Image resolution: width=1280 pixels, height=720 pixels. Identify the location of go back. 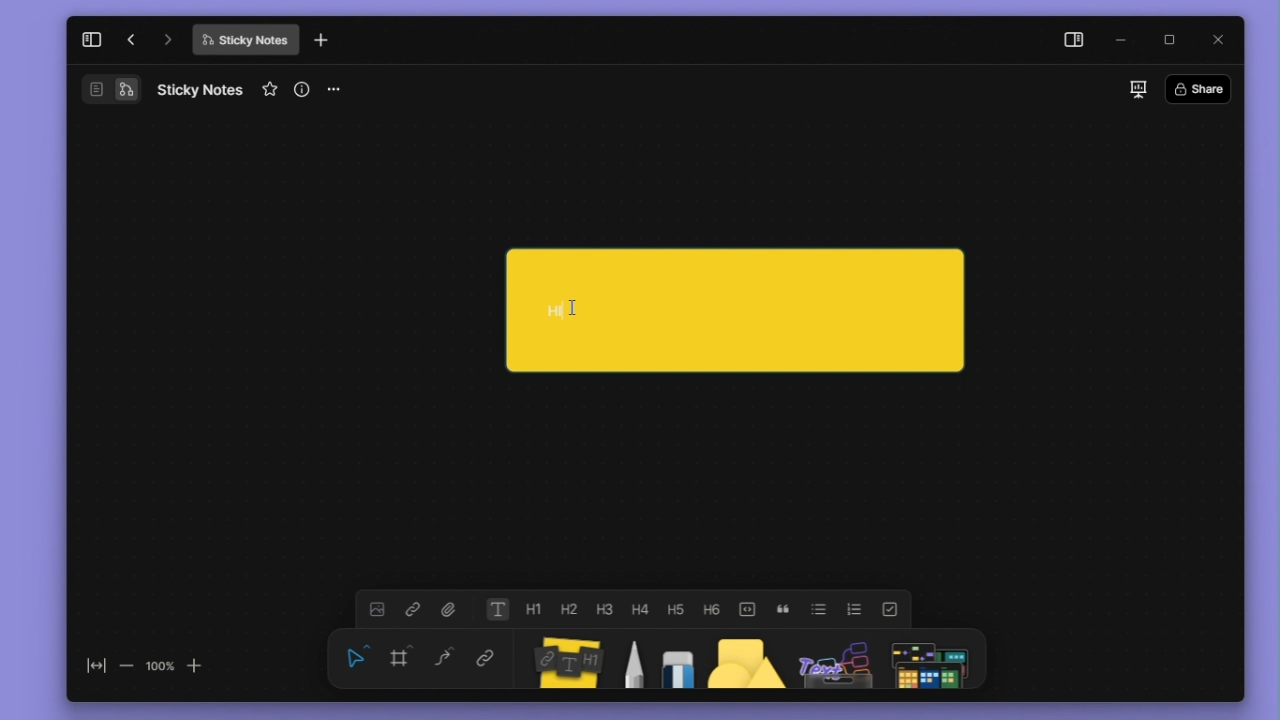
(128, 45).